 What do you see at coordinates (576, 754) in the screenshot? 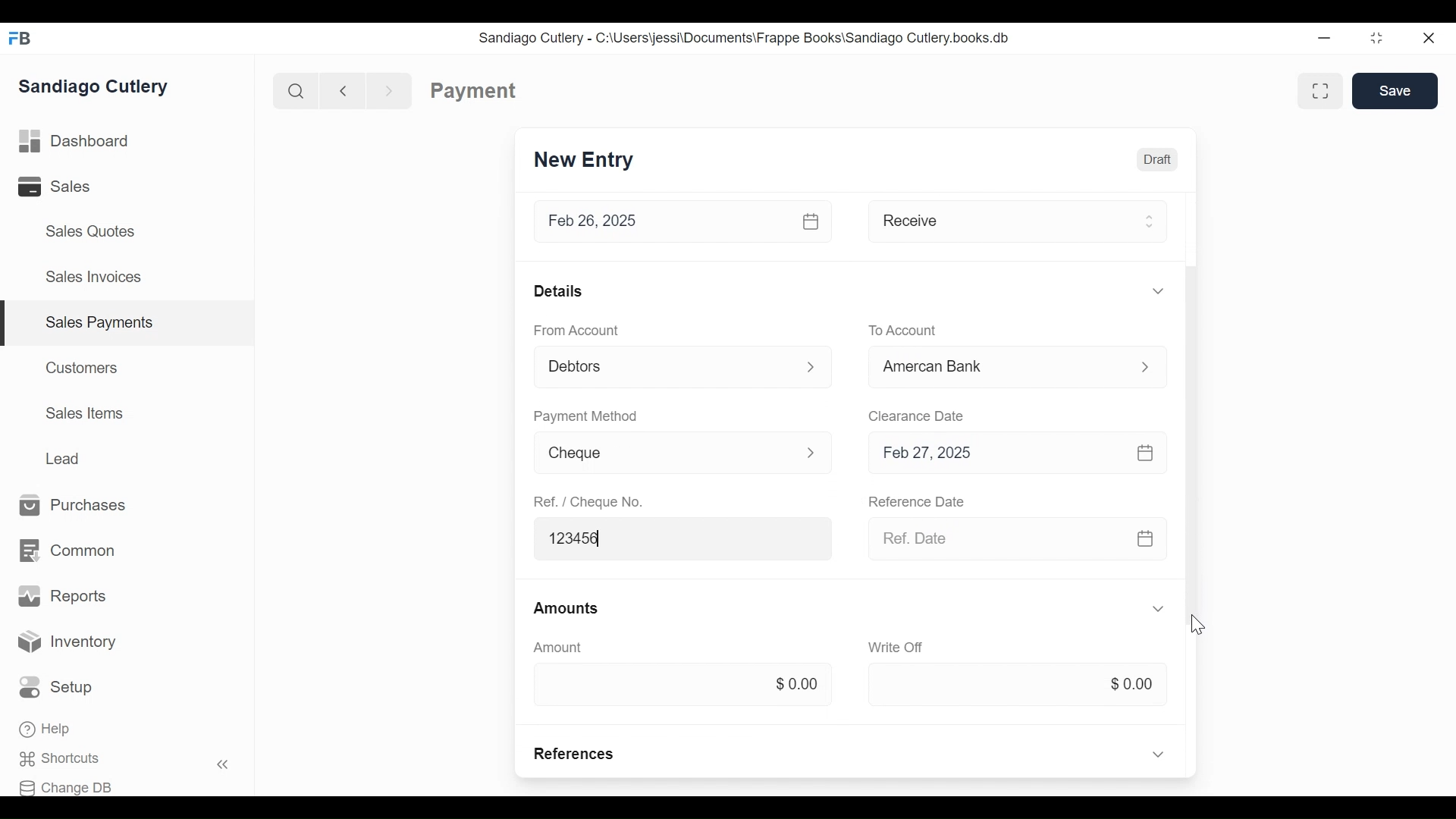
I see `References` at bounding box center [576, 754].